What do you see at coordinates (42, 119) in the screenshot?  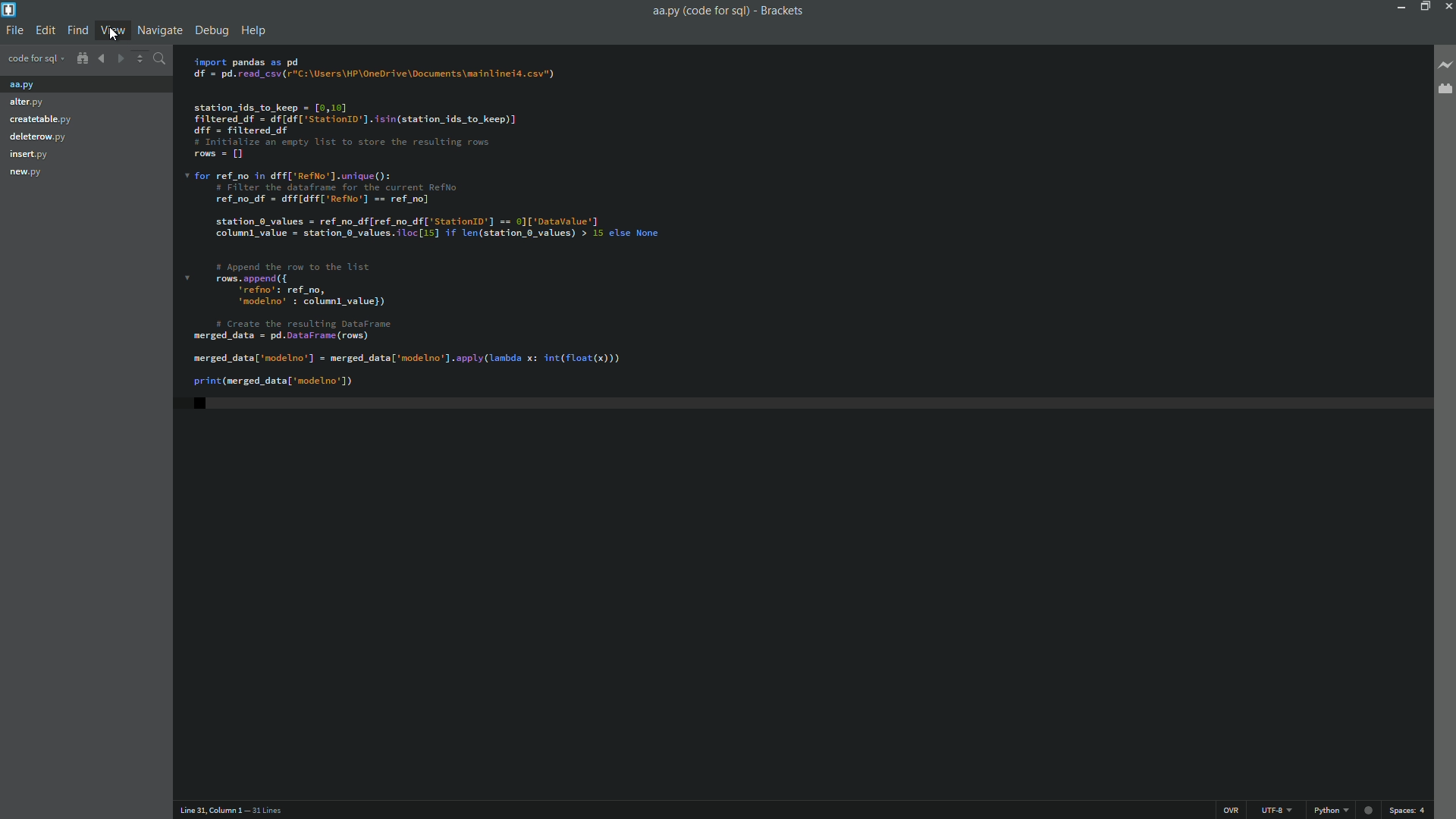 I see `Createable.py` at bounding box center [42, 119].